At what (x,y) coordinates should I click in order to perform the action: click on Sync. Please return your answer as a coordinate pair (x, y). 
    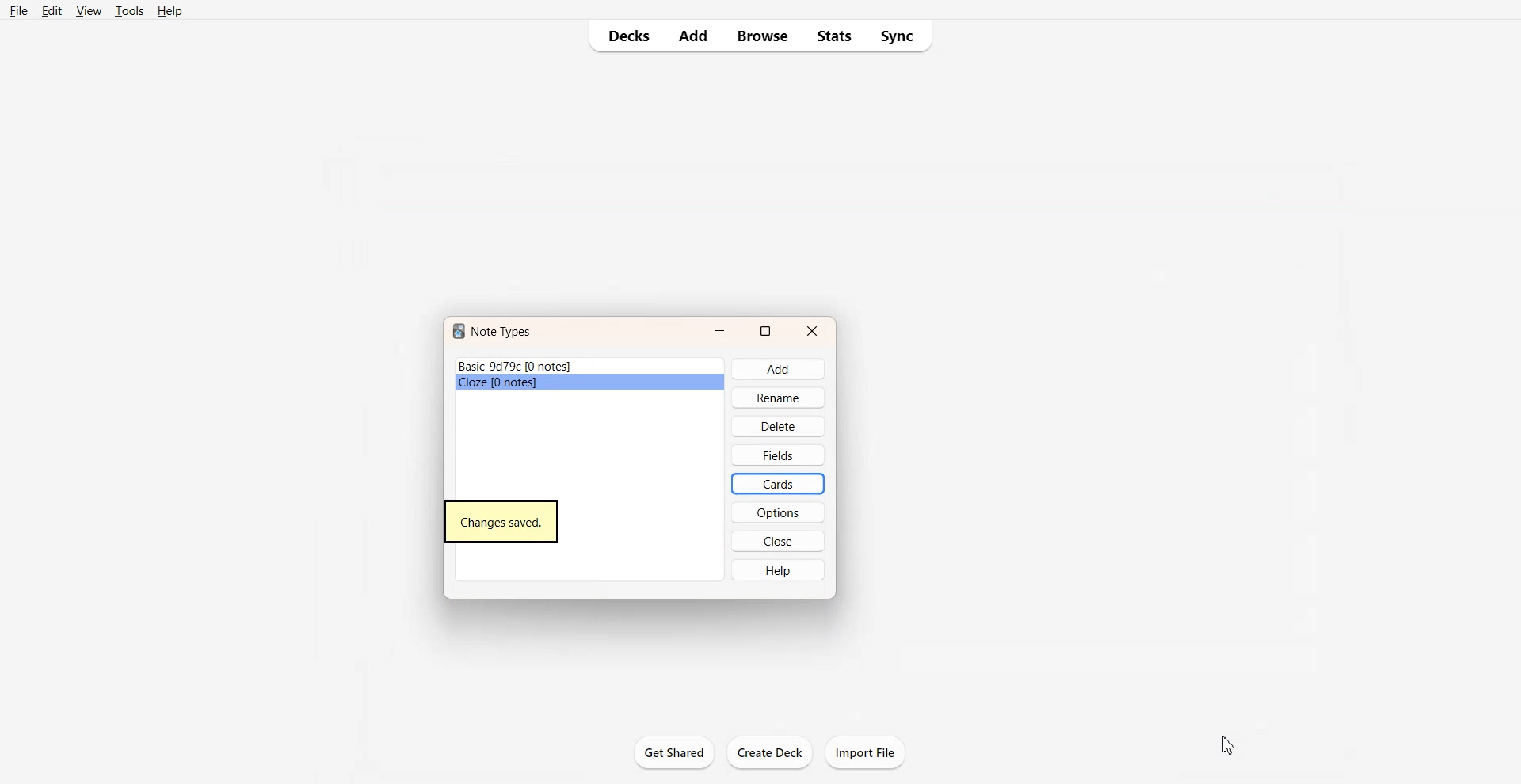
    Looking at the image, I should click on (900, 36).